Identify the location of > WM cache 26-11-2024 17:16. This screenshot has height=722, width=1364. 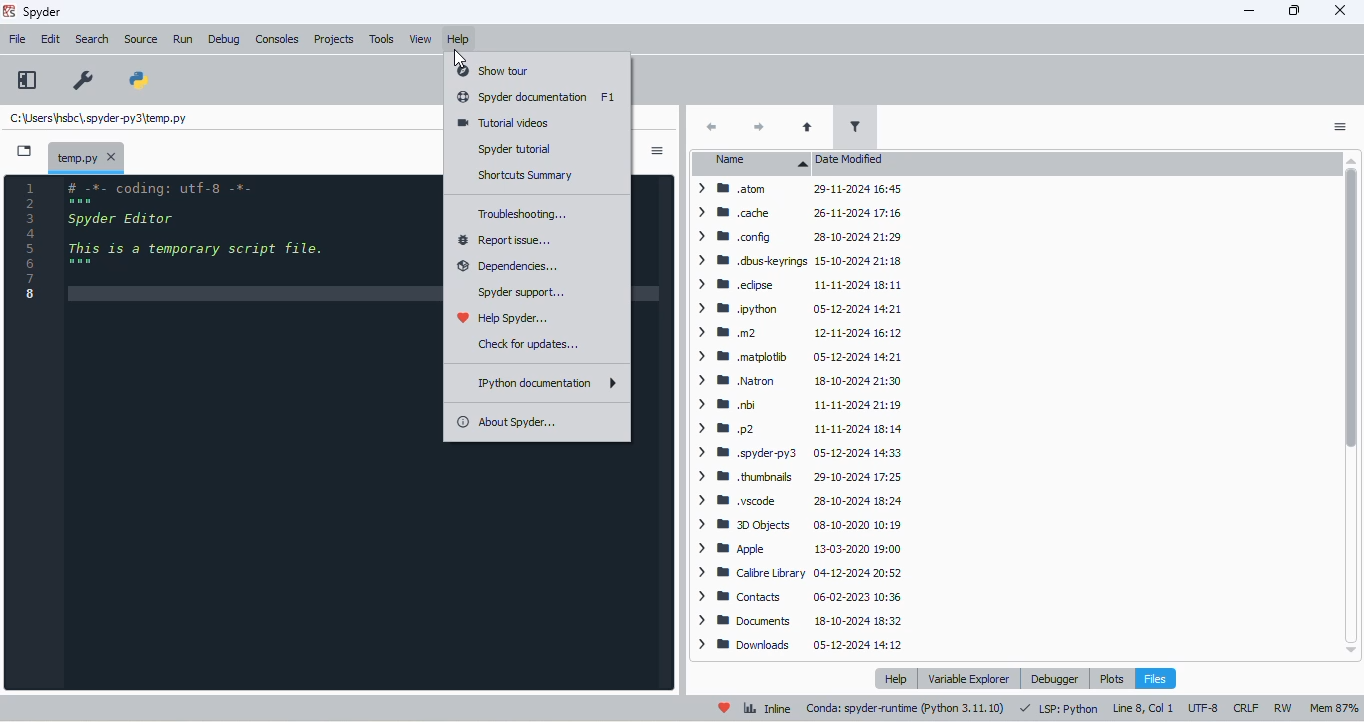
(797, 213).